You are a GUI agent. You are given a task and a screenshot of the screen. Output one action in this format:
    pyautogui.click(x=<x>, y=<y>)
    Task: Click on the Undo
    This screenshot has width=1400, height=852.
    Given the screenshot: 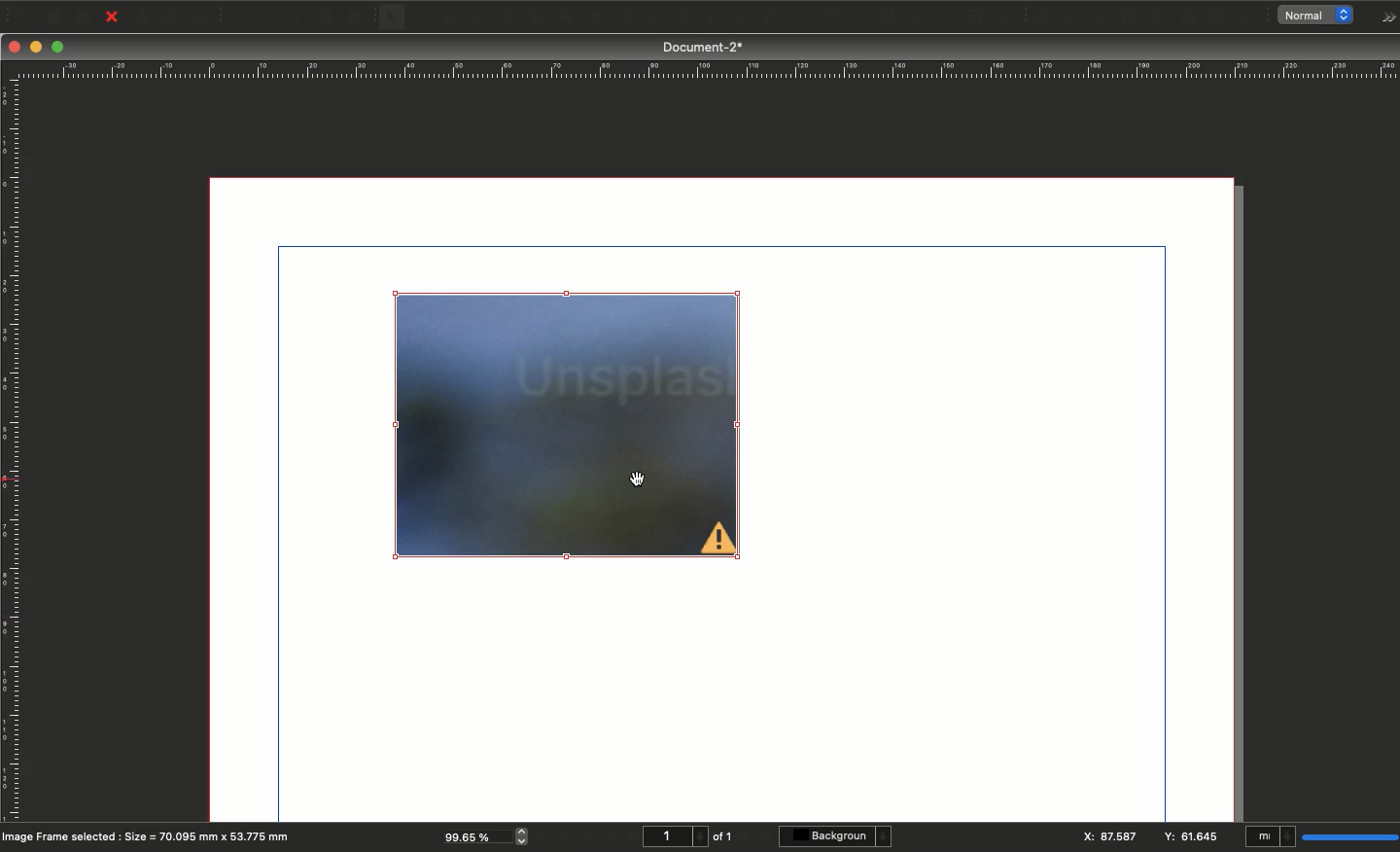 What is the action you would take?
    pyautogui.click(x=237, y=18)
    